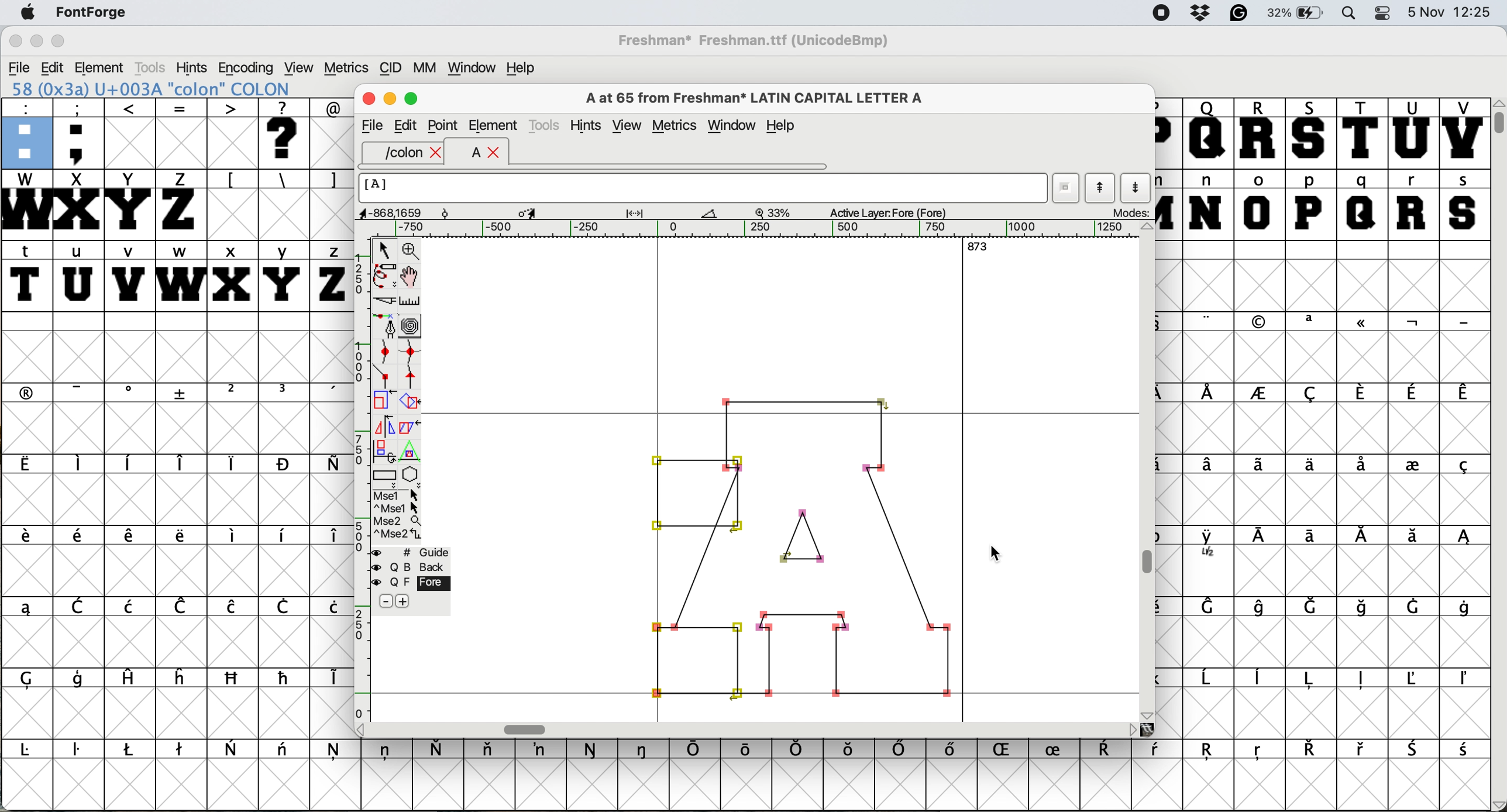 This screenshot has width=1507, height=812. What do you see at coordinates (1412, 393) in the screenshot?
I see `symbol` at bounding box center [1412, 393].